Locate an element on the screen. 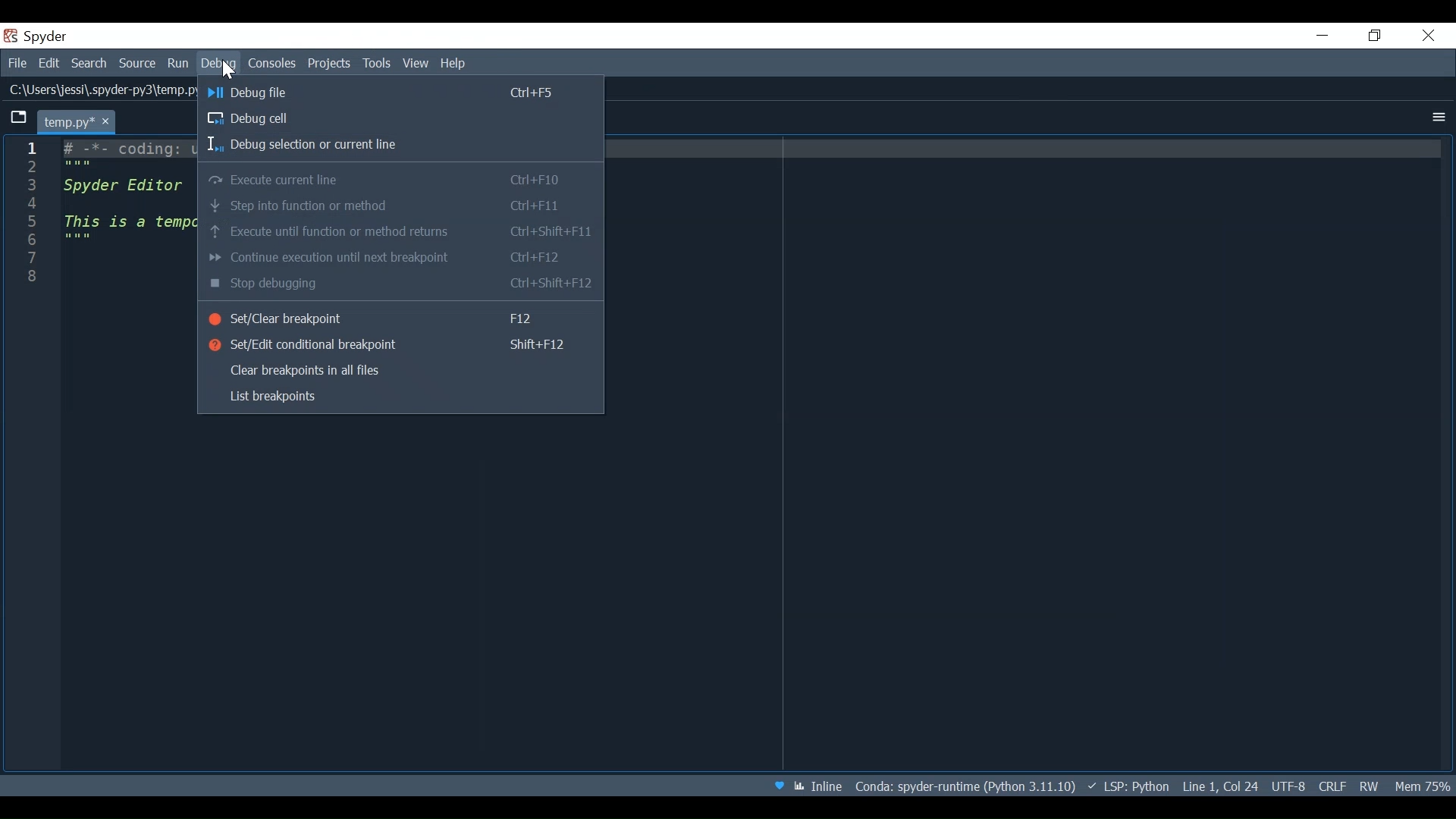 The image size is (1456, 819). Step into function or method is located at coordinates (397, 205).